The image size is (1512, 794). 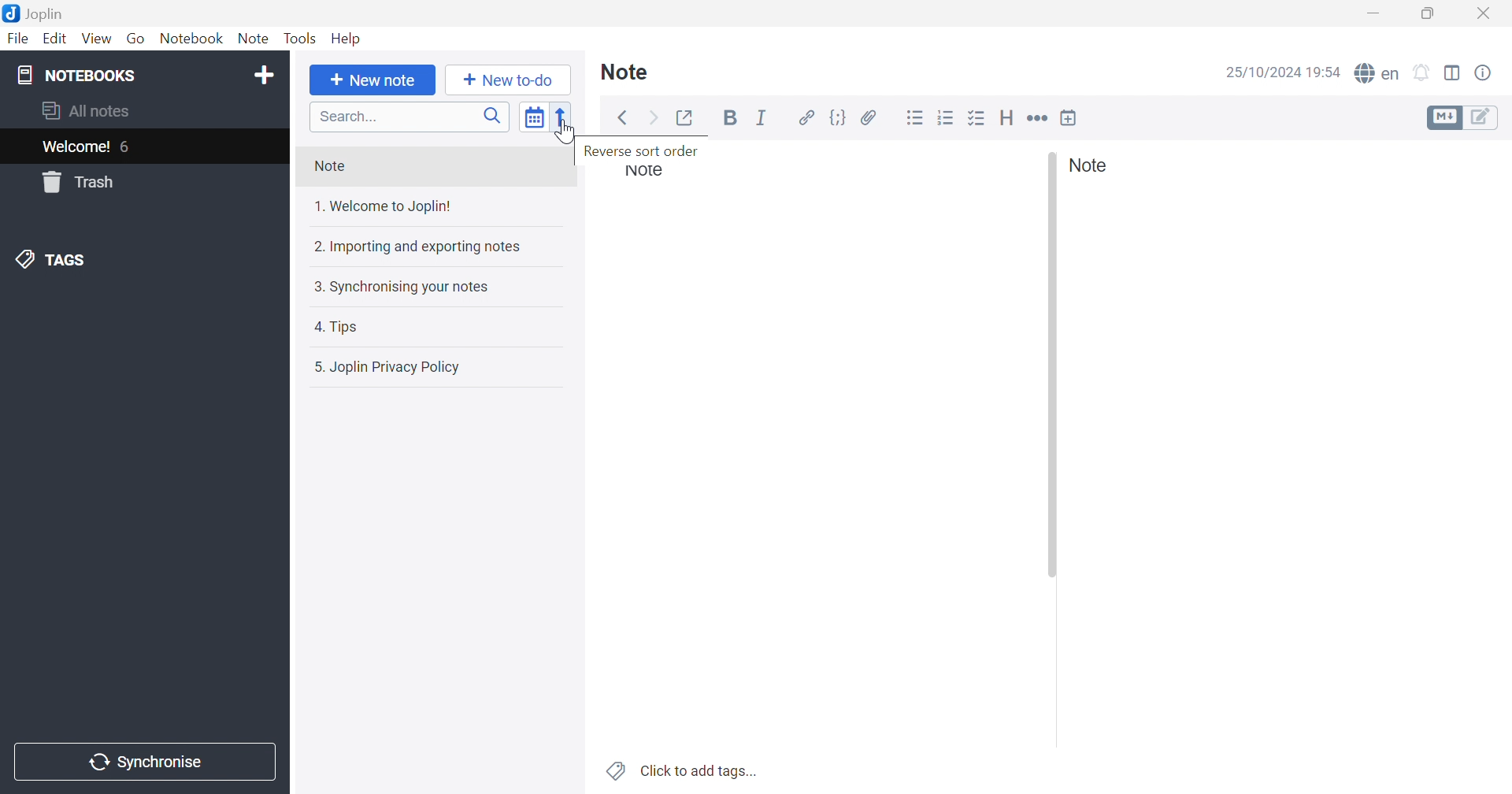 What do you see at coordinates (1088, 165) in the screenshot?
I see `Note` at bounding box center [1088, 165].